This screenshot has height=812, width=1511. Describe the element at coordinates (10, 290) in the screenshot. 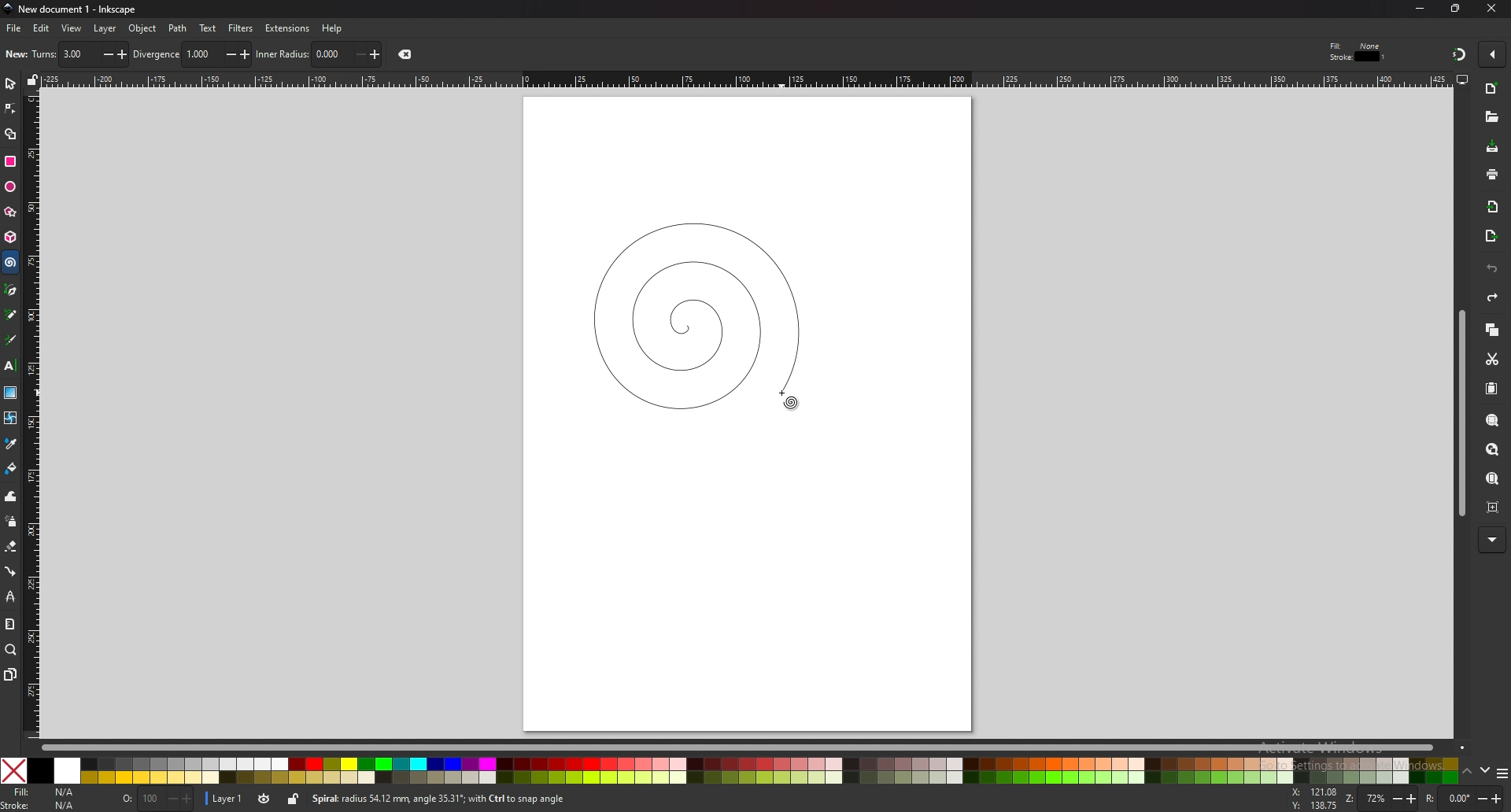

I see `pen` at that location.